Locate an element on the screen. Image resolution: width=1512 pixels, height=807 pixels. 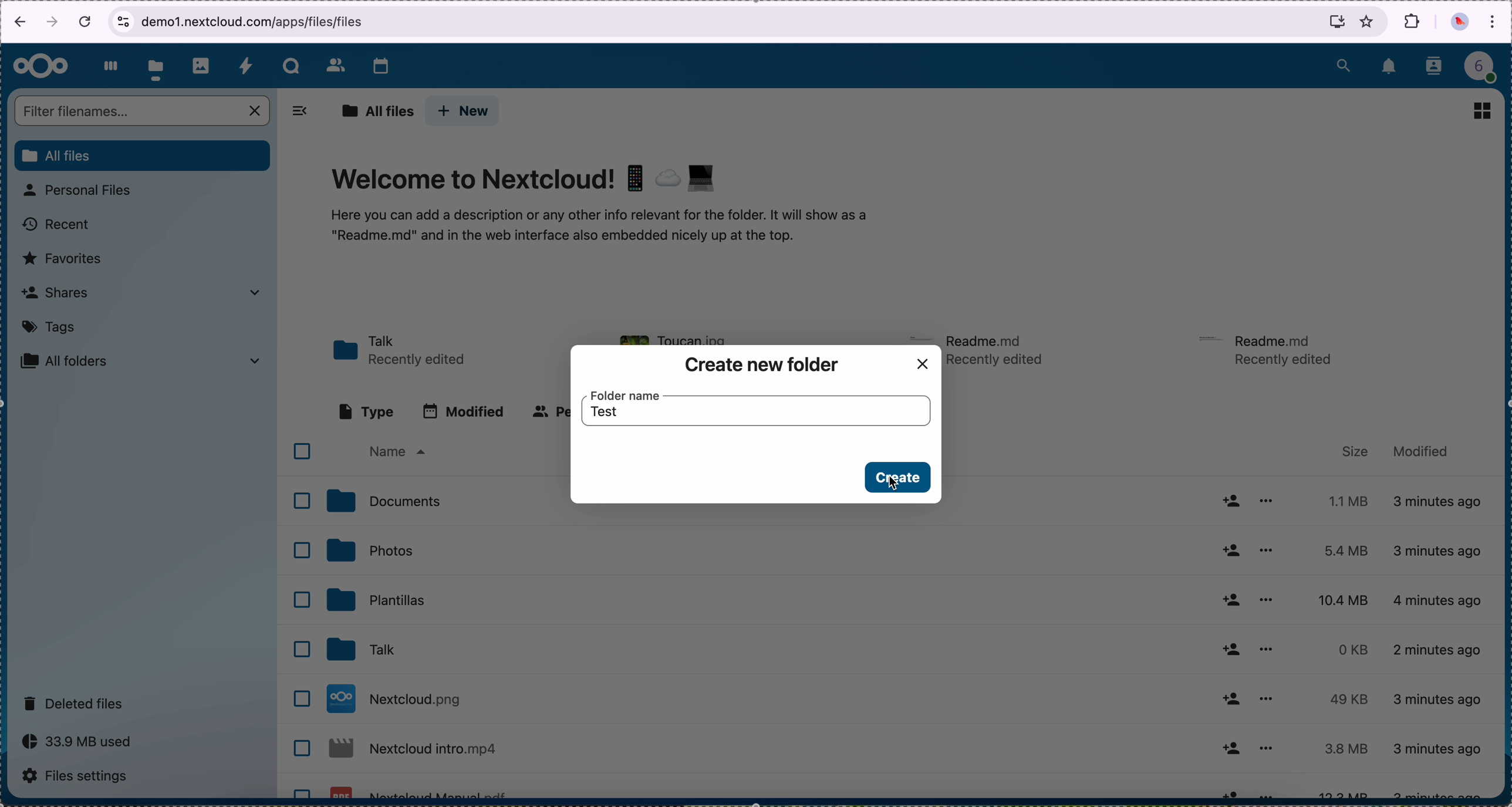
customize and control Google Chrome is located at coordinates (1493, 23).